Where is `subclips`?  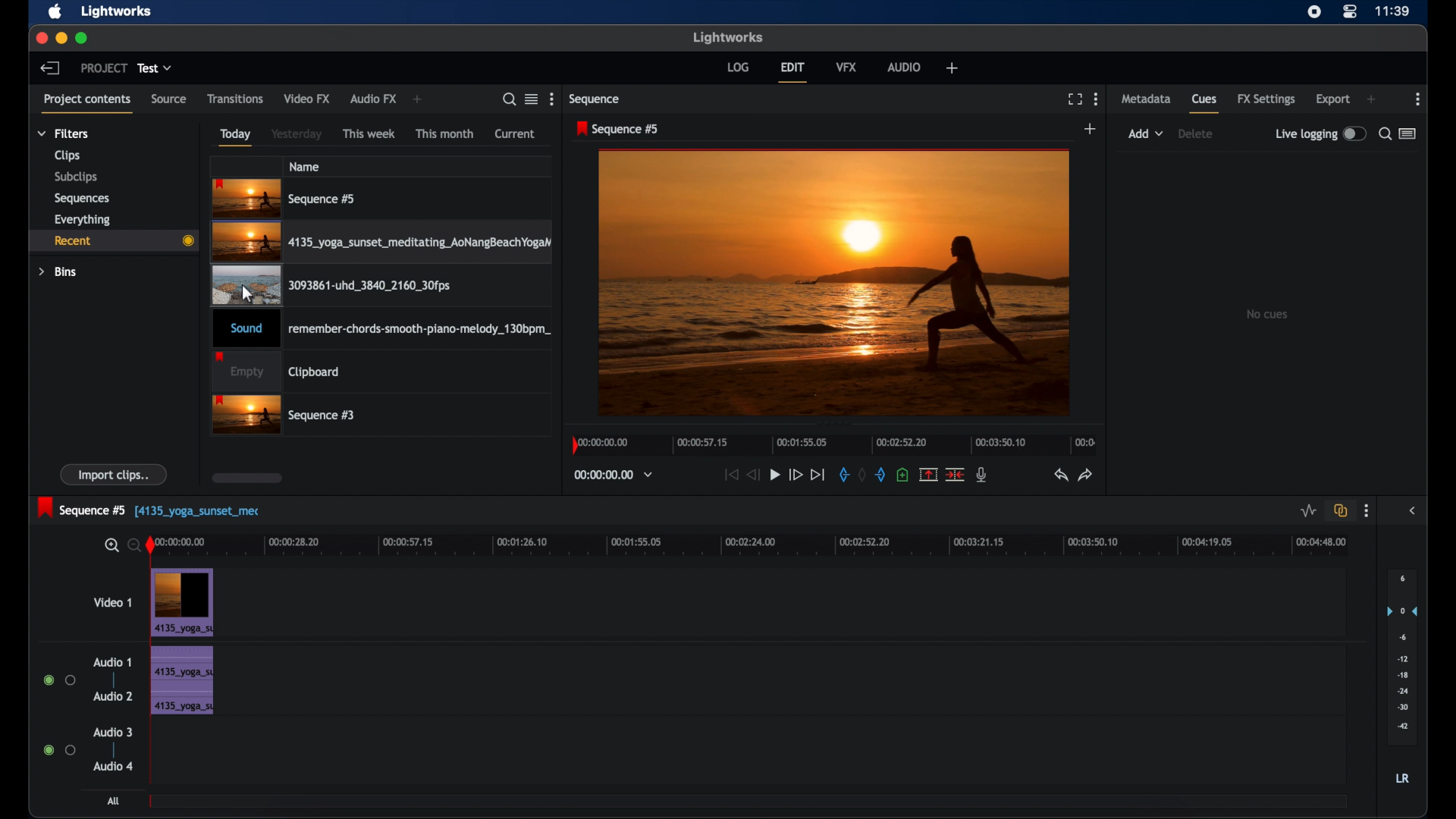
subclips is located at coordinates (77, 176).